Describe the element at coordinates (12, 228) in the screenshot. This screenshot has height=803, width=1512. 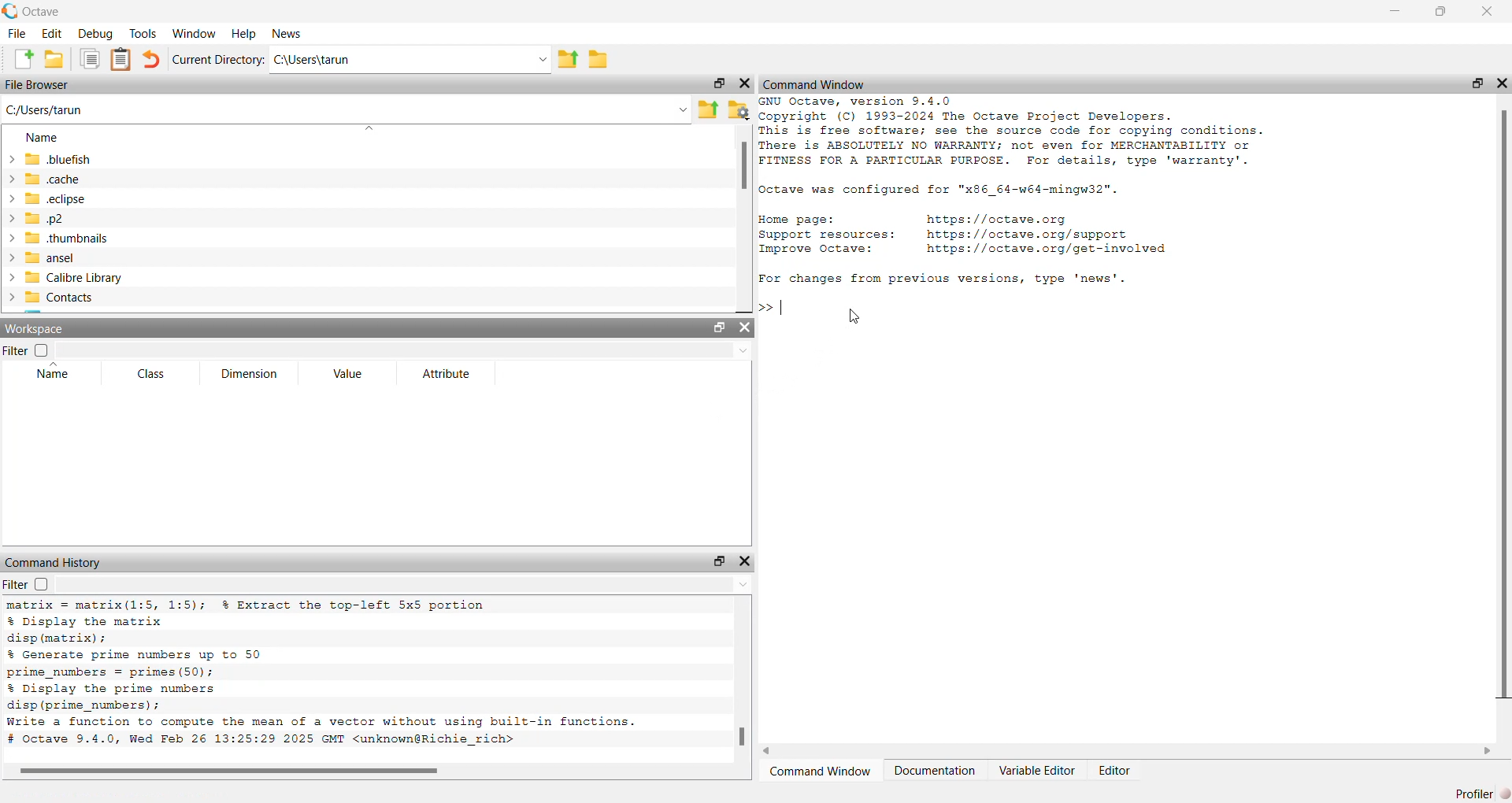
I see `expand/collapse` at that location.